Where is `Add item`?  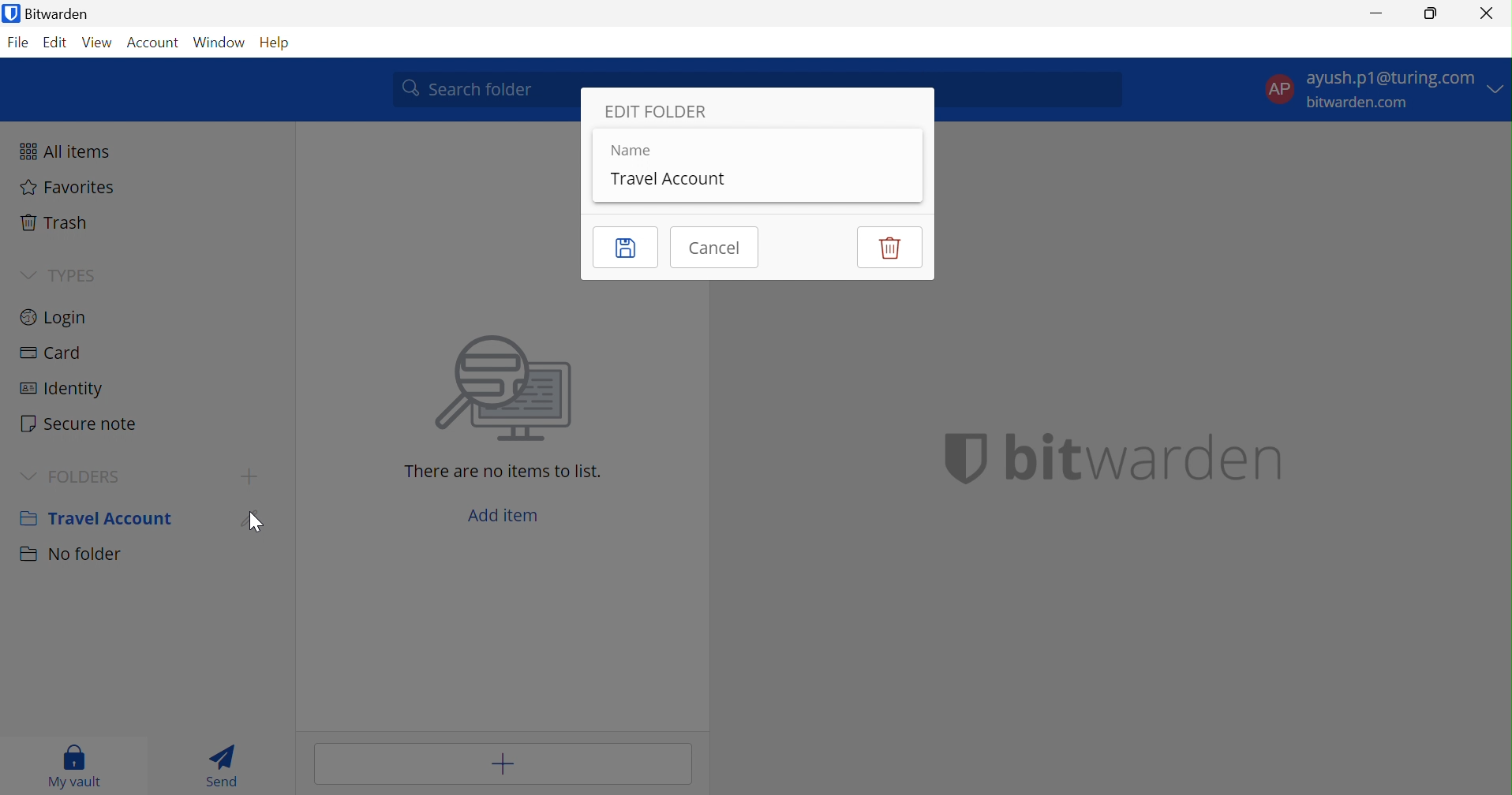 Add item is located at coordinates (501, 763).